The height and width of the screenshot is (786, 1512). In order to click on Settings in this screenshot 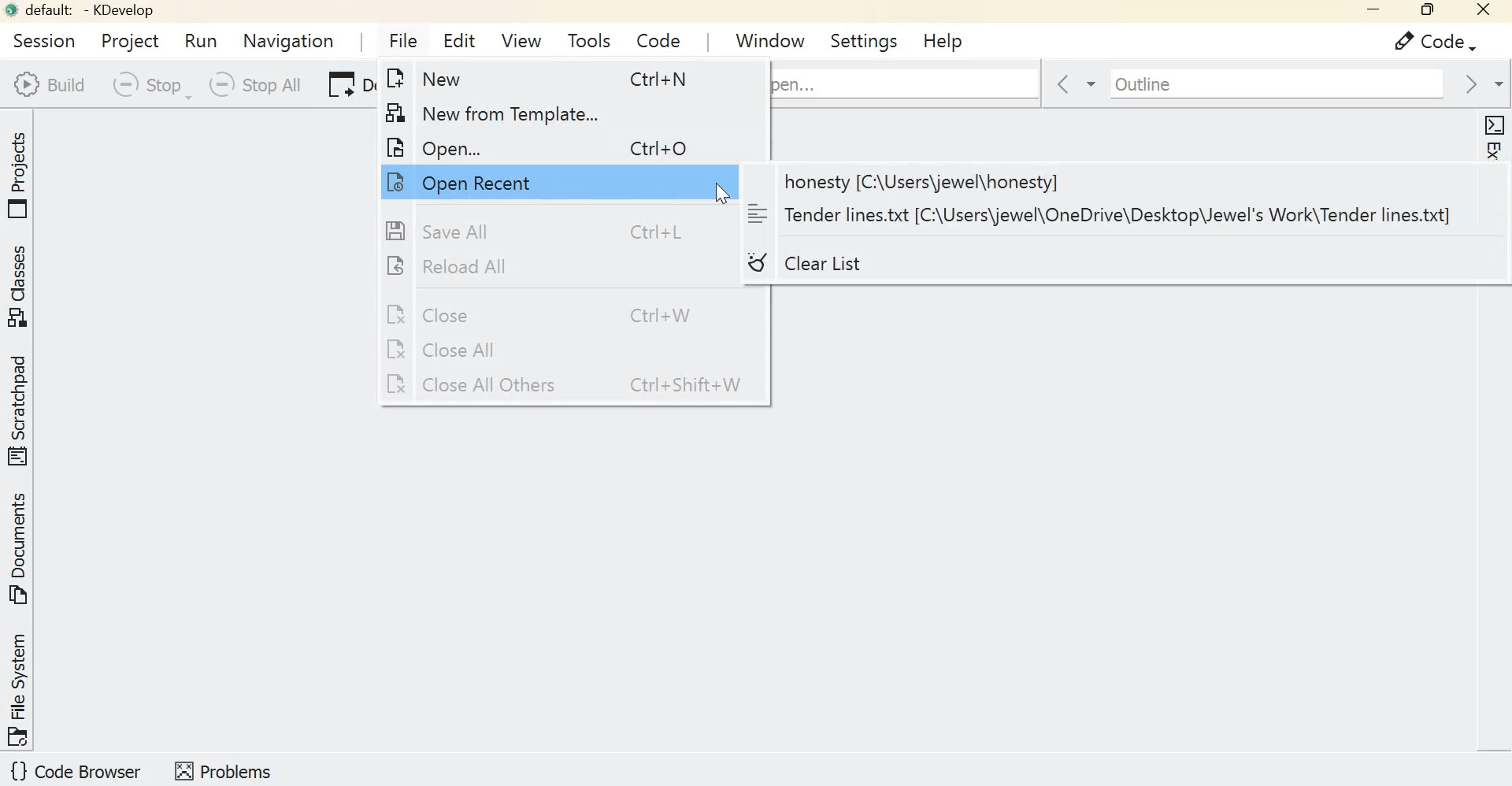, I will do `click(867, 40)`.